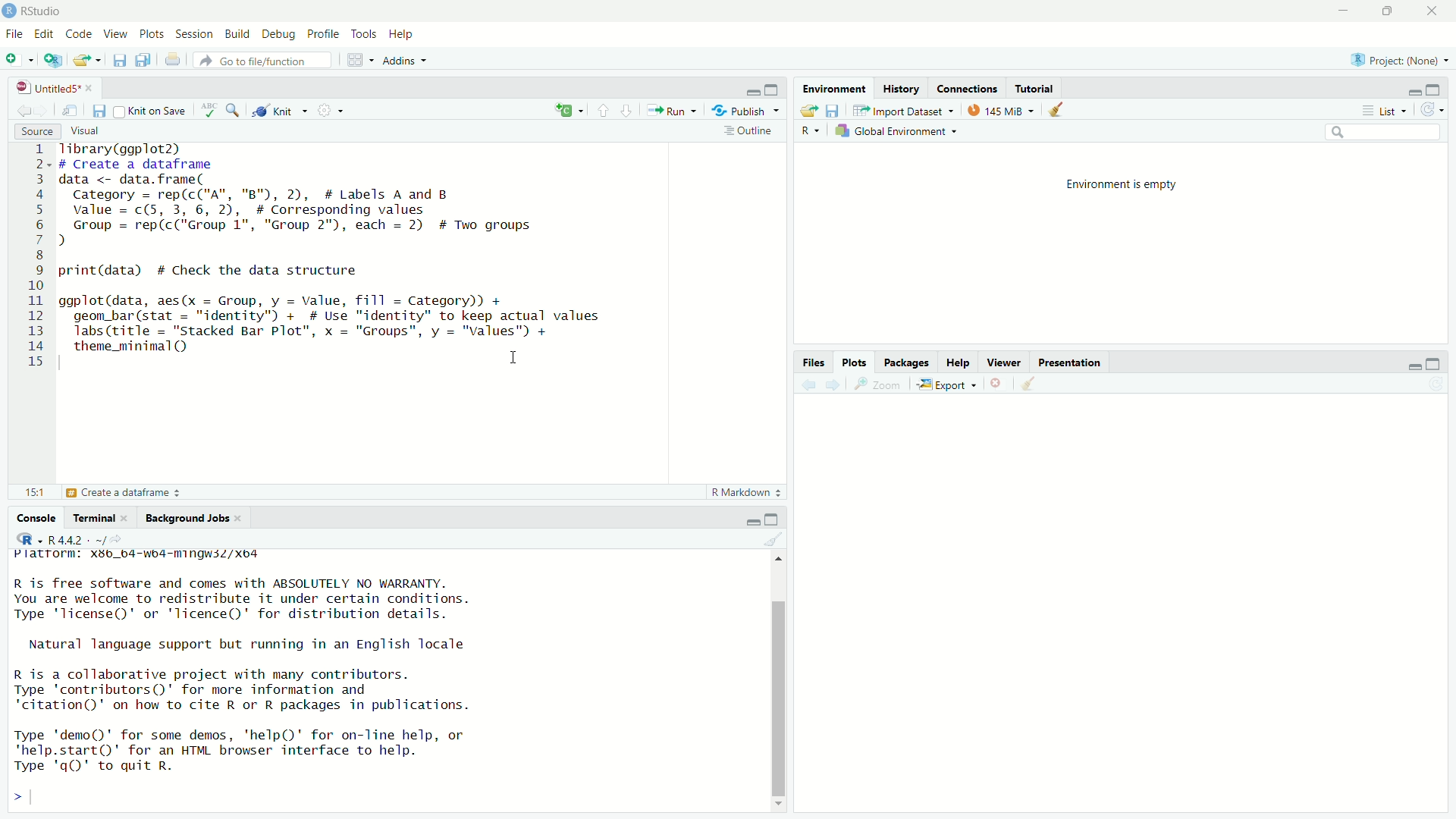 This screenshot has height=819, width=1456. What do you see at coordinates (971, 87) in the screenshot?
I see `Connections` at bounding box center [971, 87].